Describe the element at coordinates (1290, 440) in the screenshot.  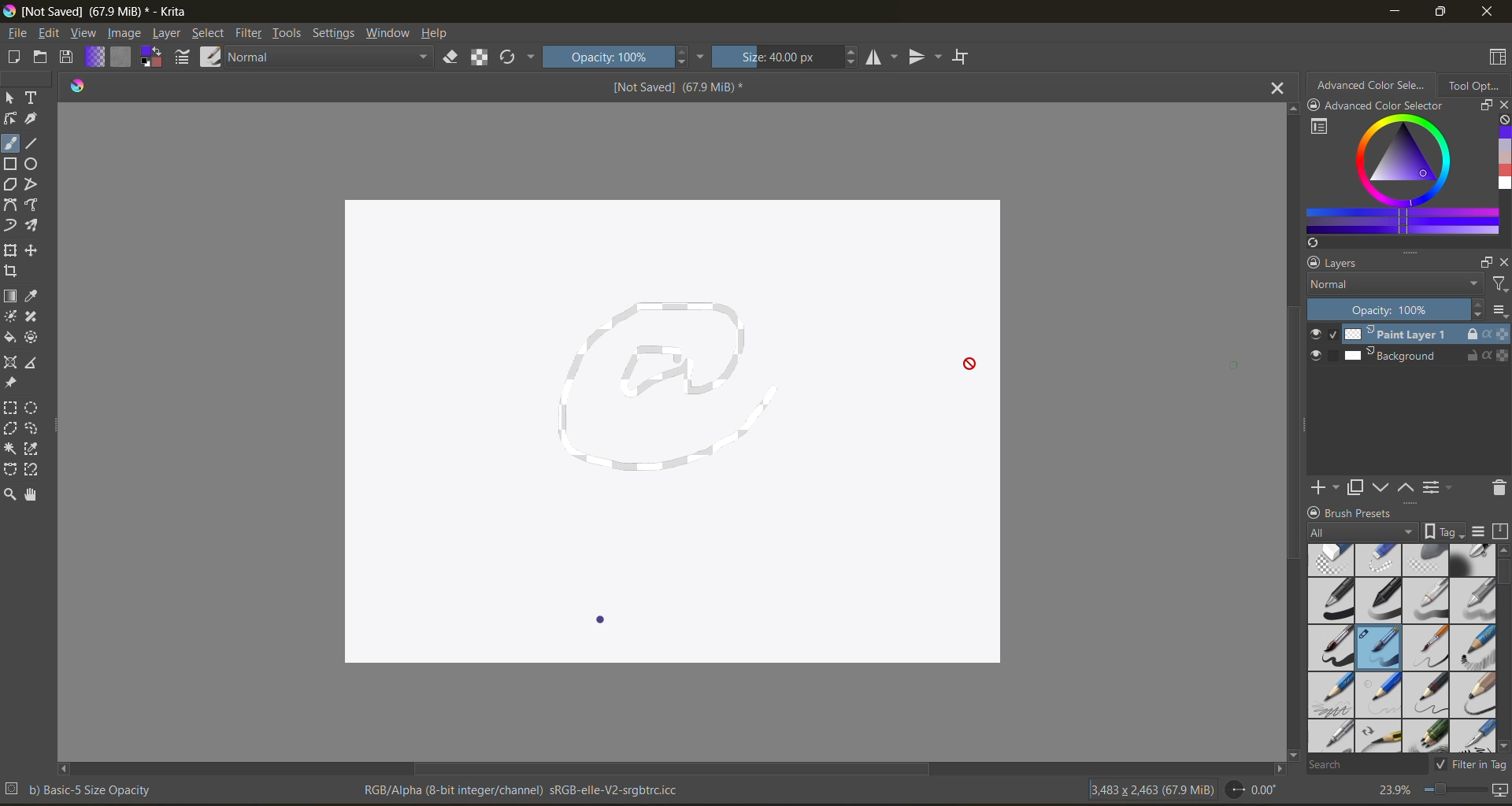
I see `vertical scroll bar` at that location.